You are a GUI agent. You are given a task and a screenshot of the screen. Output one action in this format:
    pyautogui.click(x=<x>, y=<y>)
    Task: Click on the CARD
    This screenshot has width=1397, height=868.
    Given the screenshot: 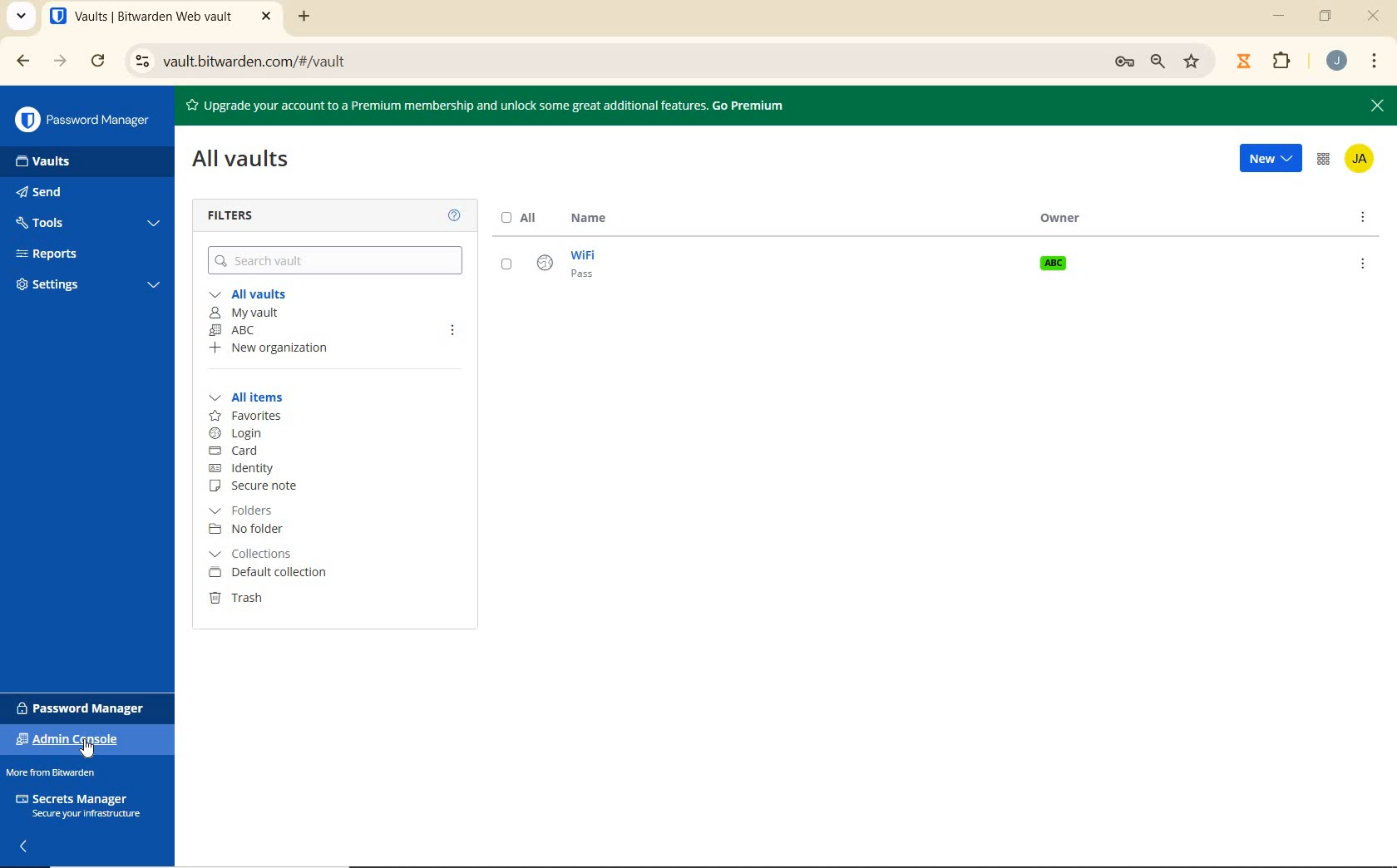 What is the action you would take?
    pyautogui.click(x=244, y=451)
    